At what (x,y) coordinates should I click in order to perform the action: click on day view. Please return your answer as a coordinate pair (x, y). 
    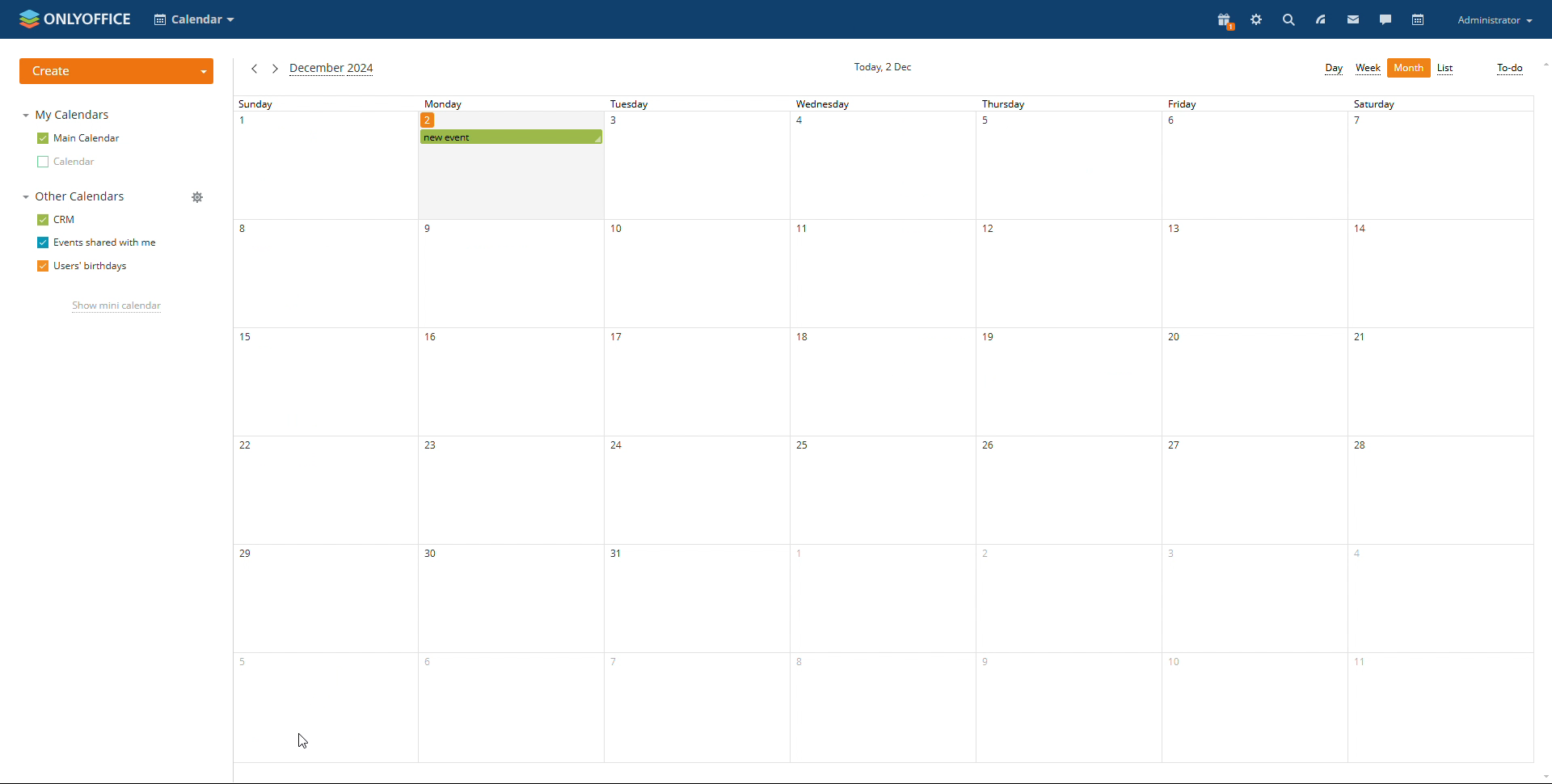
    Looking at the image, I should click on (1335, 69).